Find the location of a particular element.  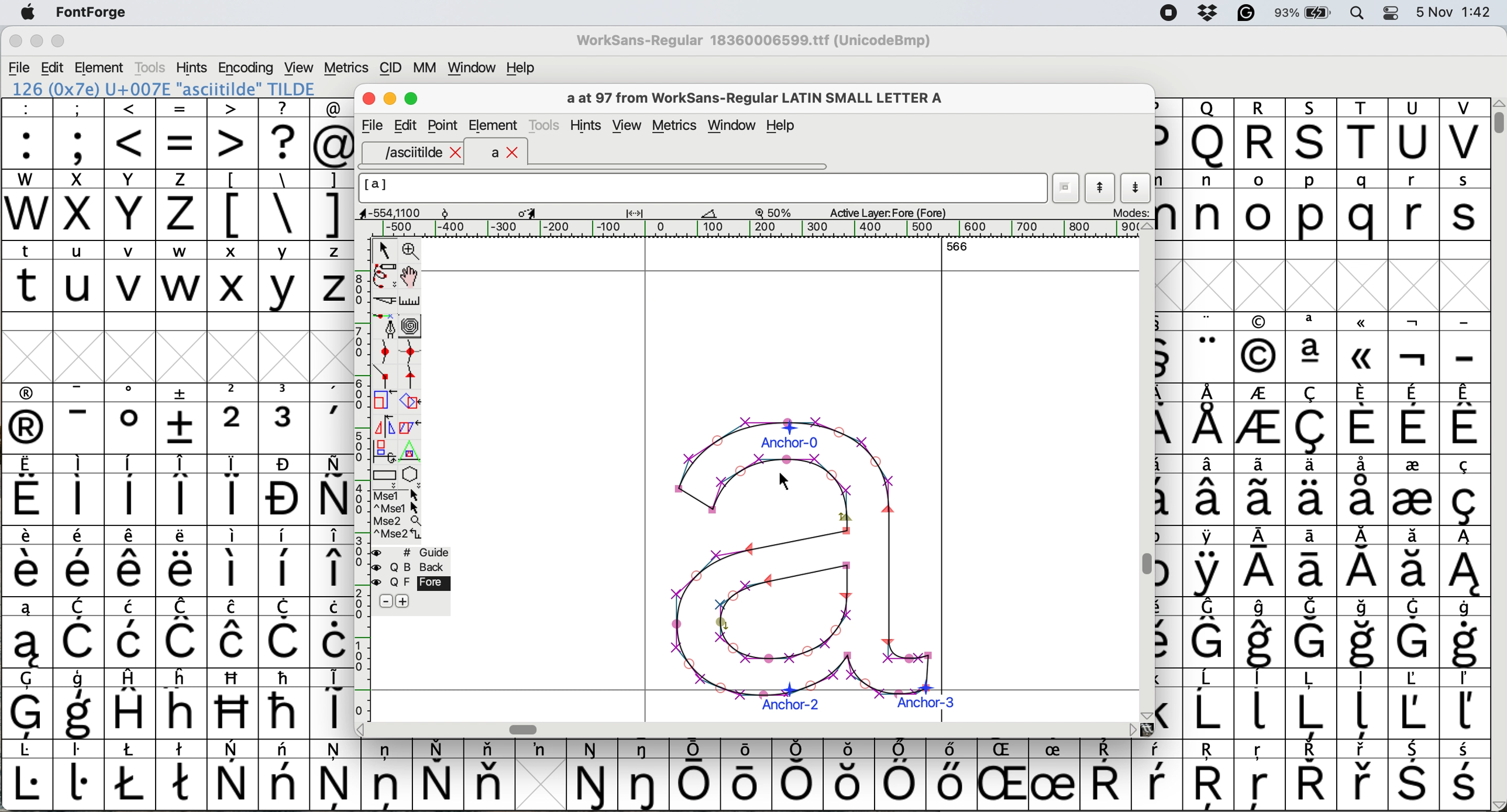

hints is located at coordinates (192, 67).